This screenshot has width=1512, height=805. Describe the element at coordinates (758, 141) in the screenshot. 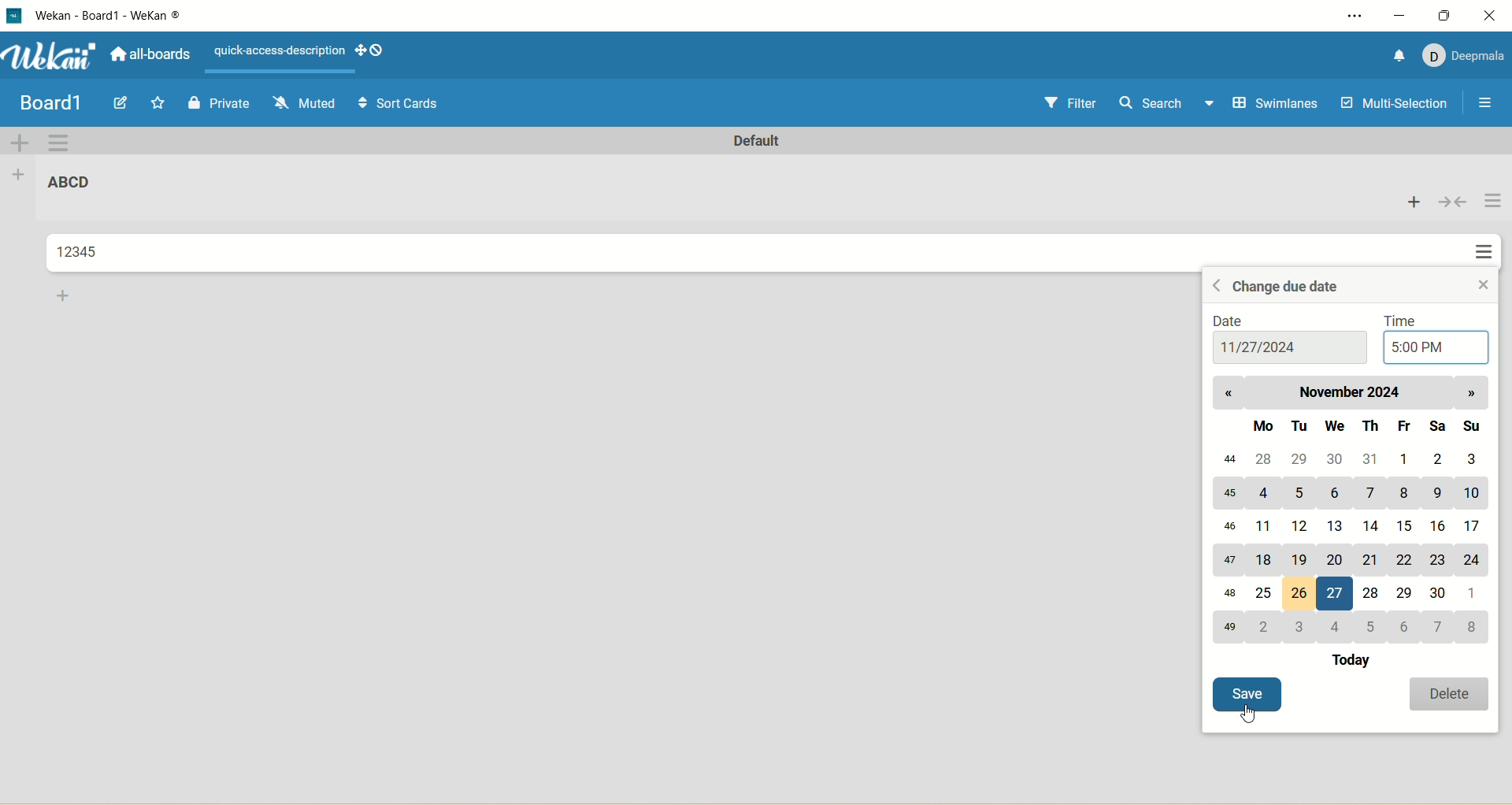

I see `default` at that location.